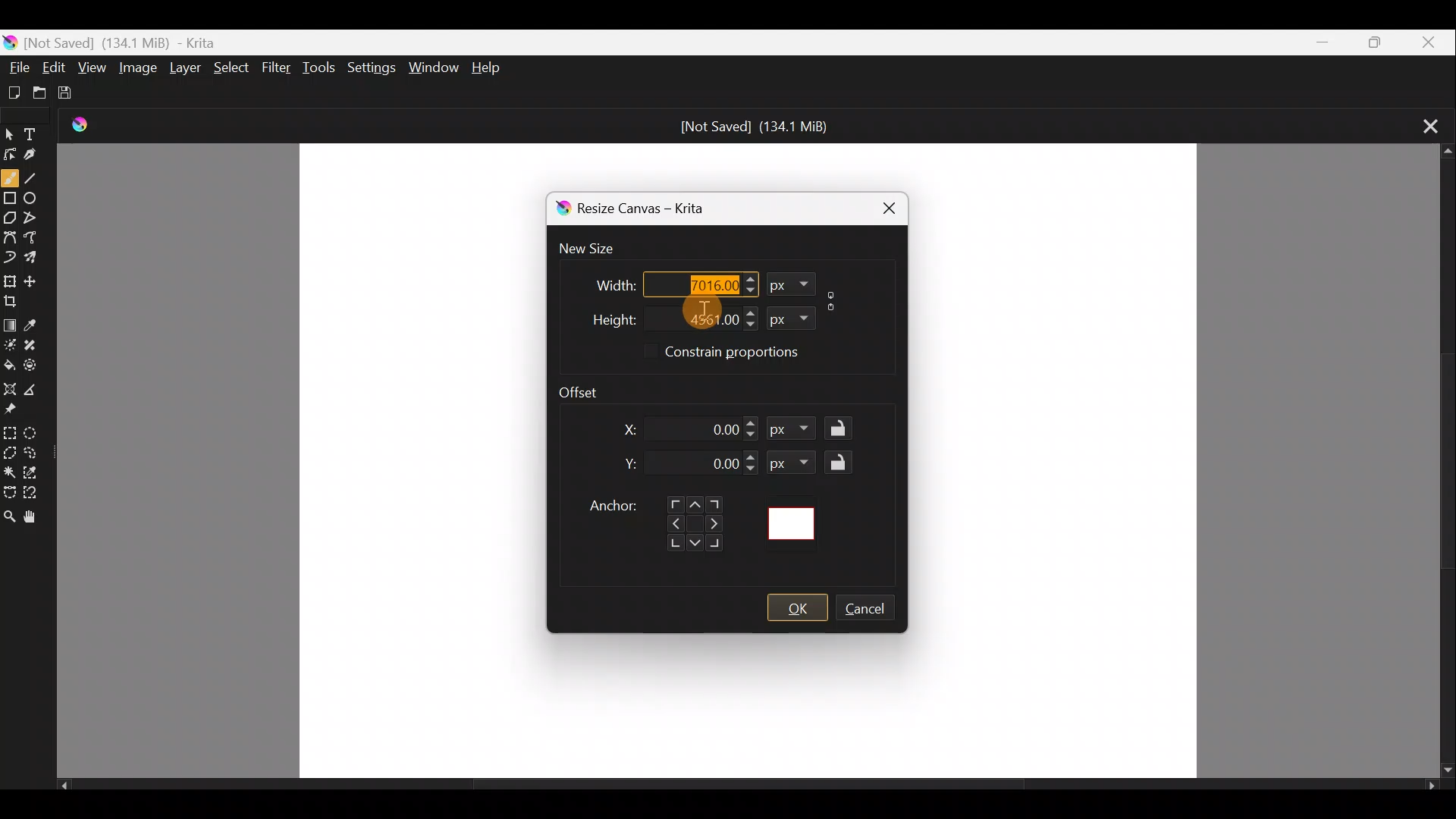  What do you see at coordinates (752, 435) in the screenshot?
I see `Decrease X dimension` at bounding box center [752, 435].